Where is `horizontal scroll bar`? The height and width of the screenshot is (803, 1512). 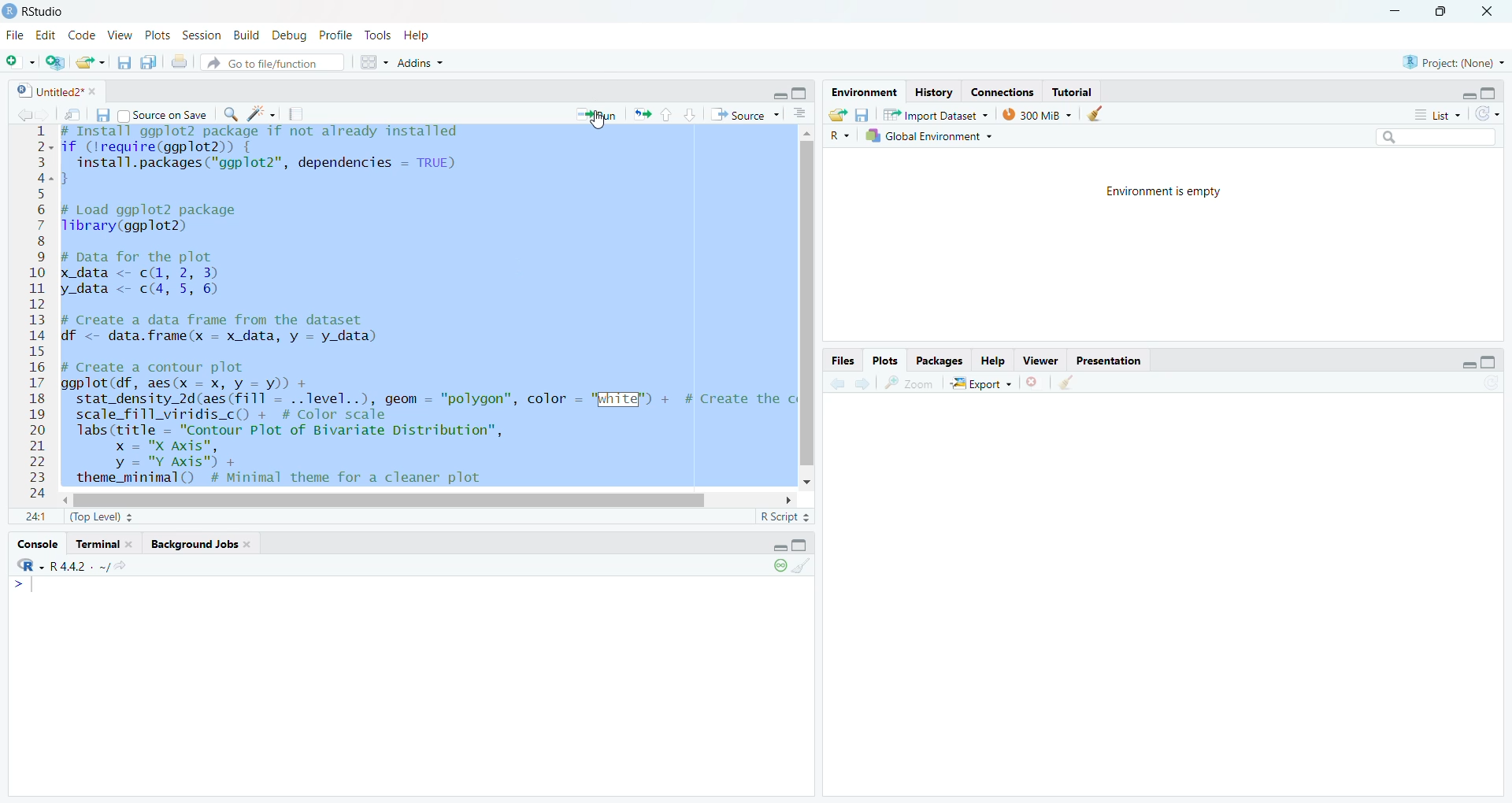 horizontal scroll bar is located at coordinates (400, 498).